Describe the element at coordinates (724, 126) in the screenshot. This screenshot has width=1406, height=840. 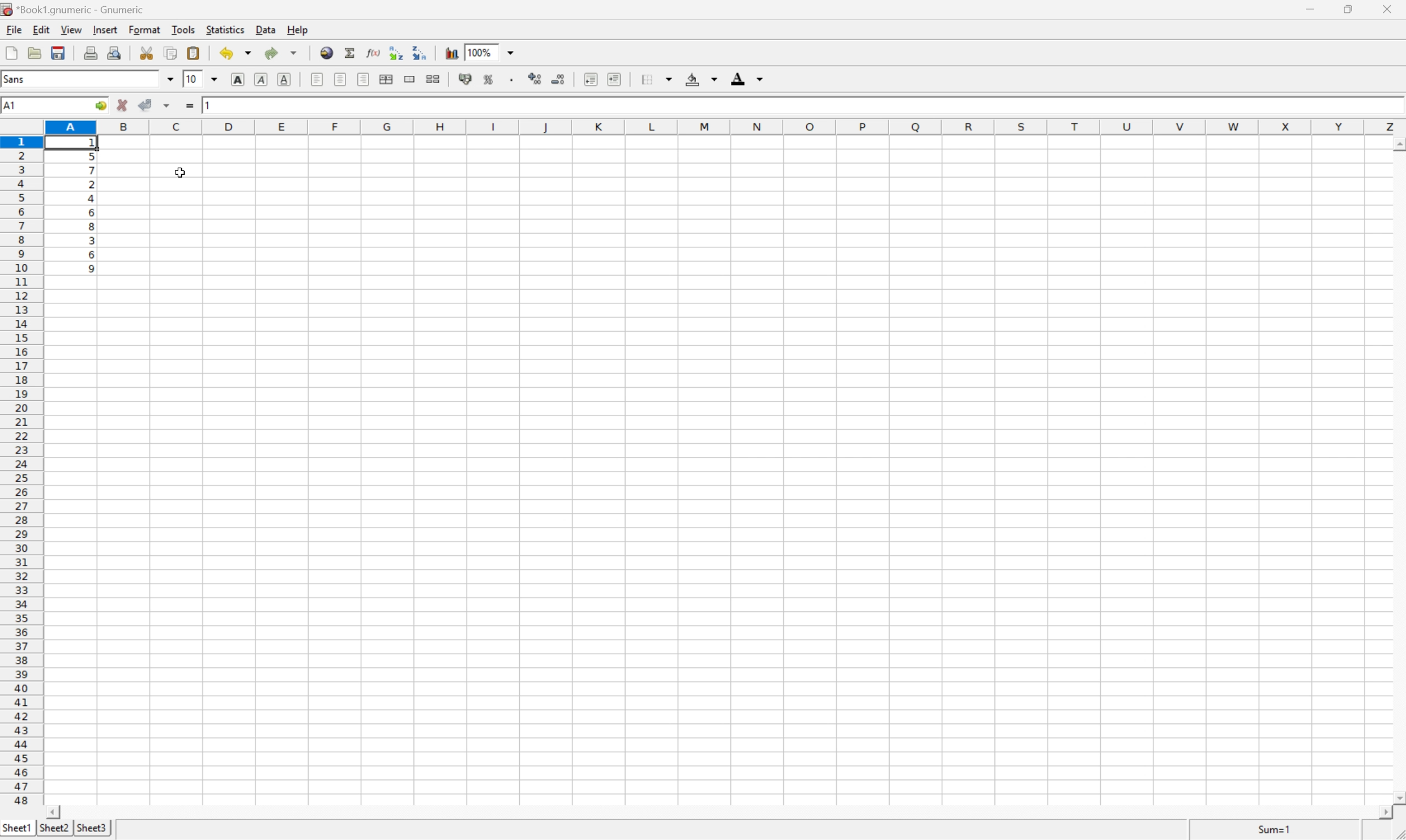
I see `column names` at that location.